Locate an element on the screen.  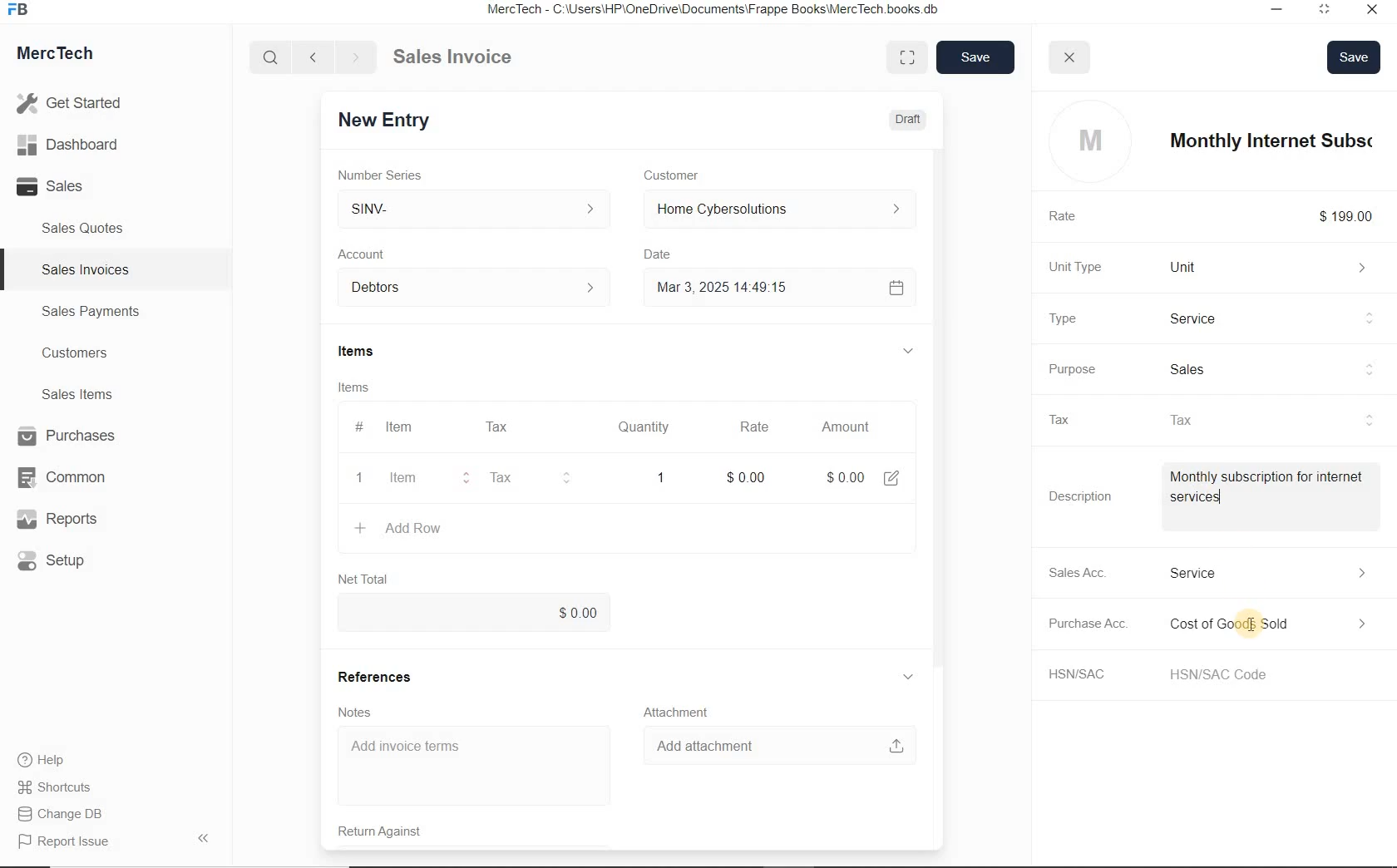
create is located at coordinates (353, 528).